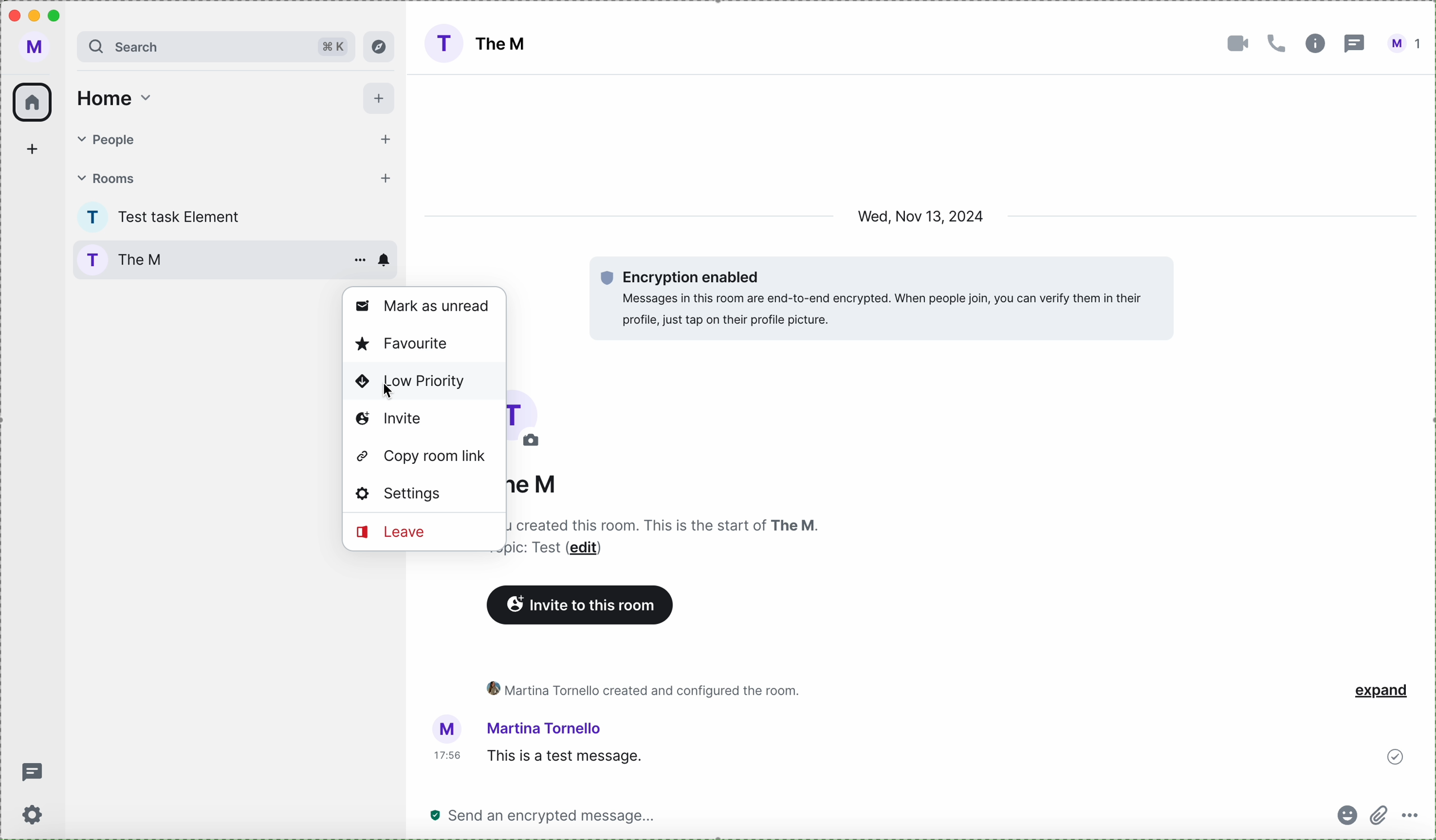 The image size is (1436, 840). I want to click on close, so click(13, 17).